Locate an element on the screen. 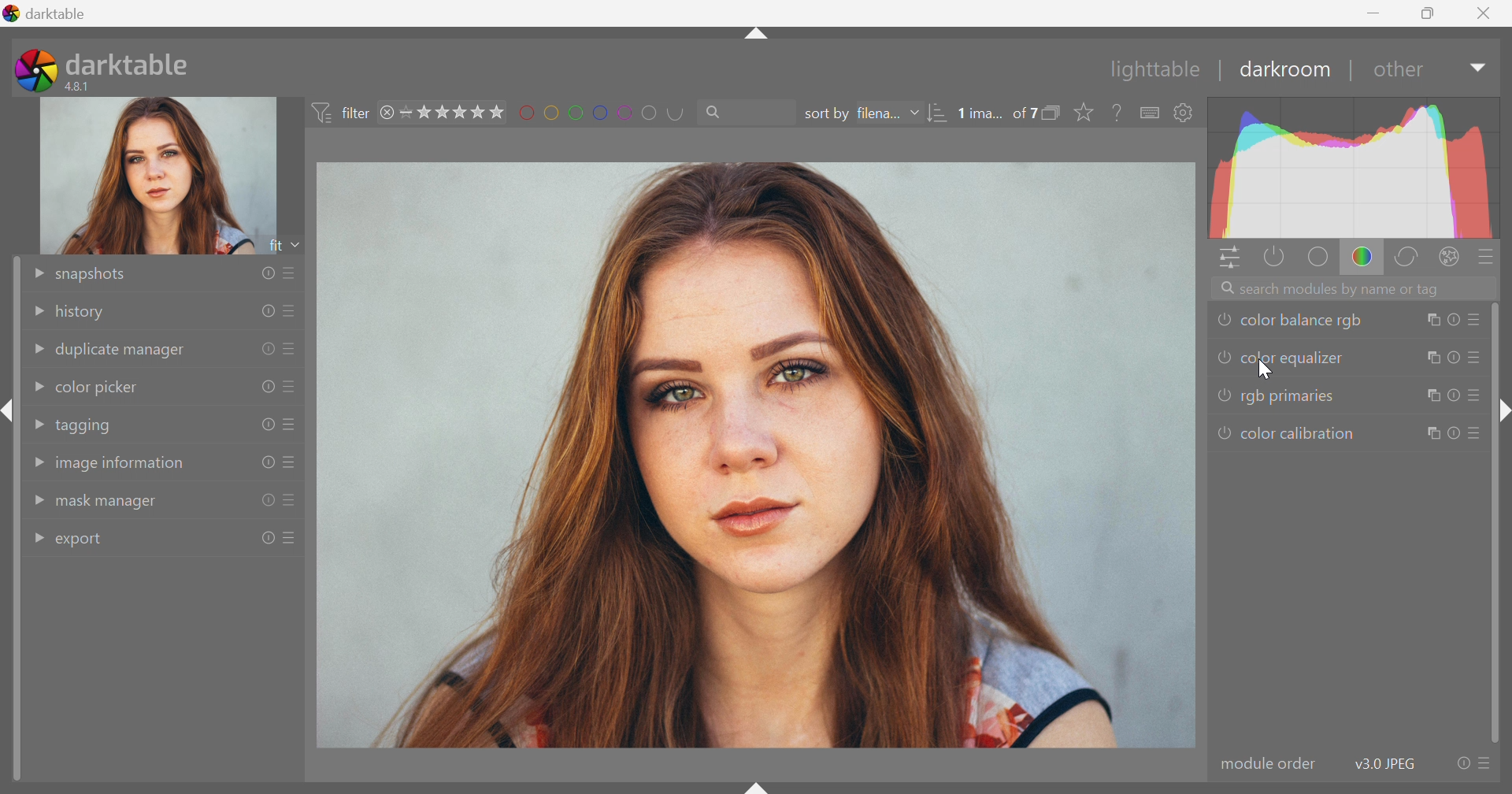 Image resolution: width=1512 pixels, height=794 pixels. darktable is located at coordinates (130, 61).